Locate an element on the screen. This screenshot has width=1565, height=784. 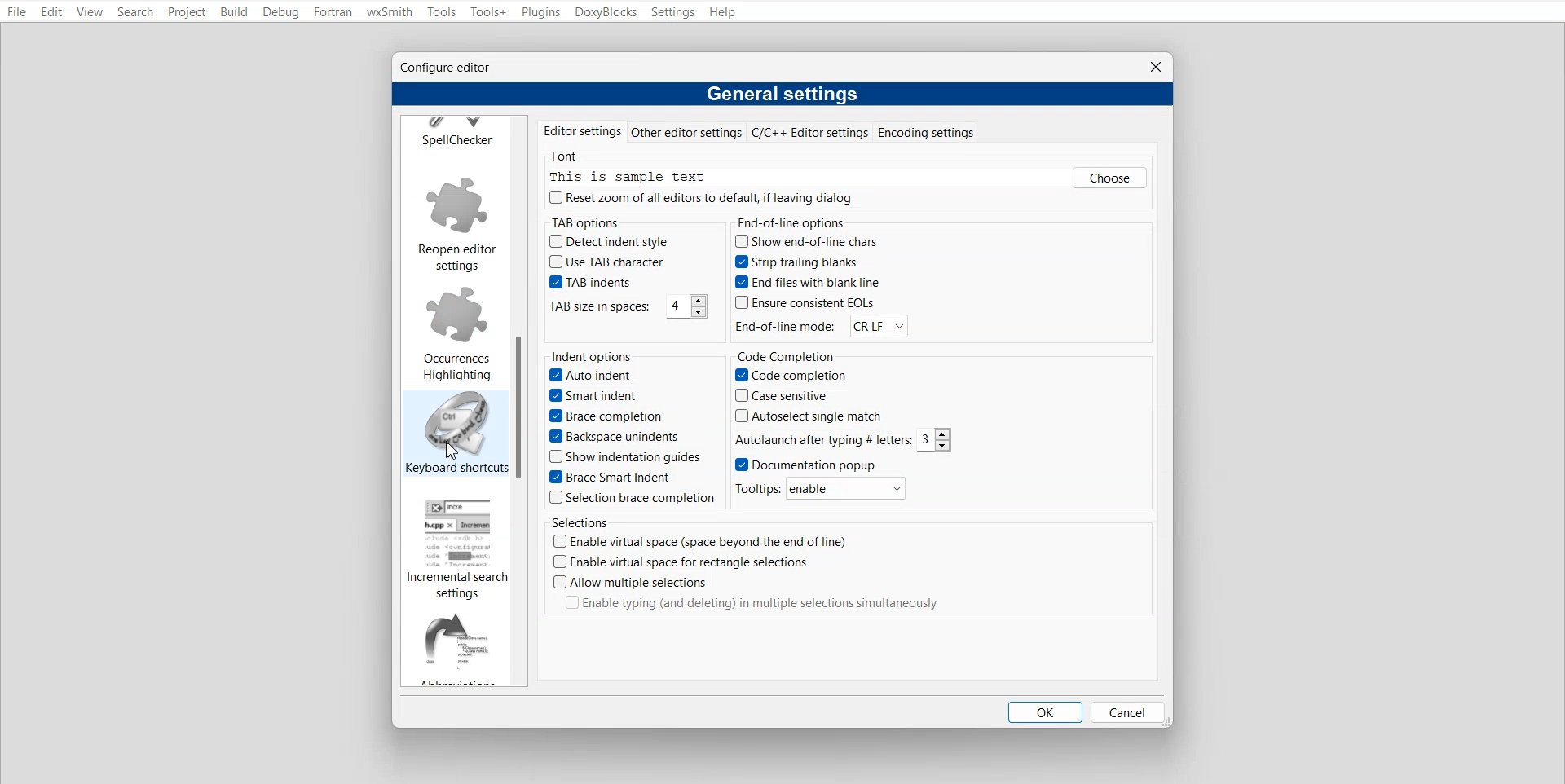
Backspace unindents is located at coordinates (618, 438).